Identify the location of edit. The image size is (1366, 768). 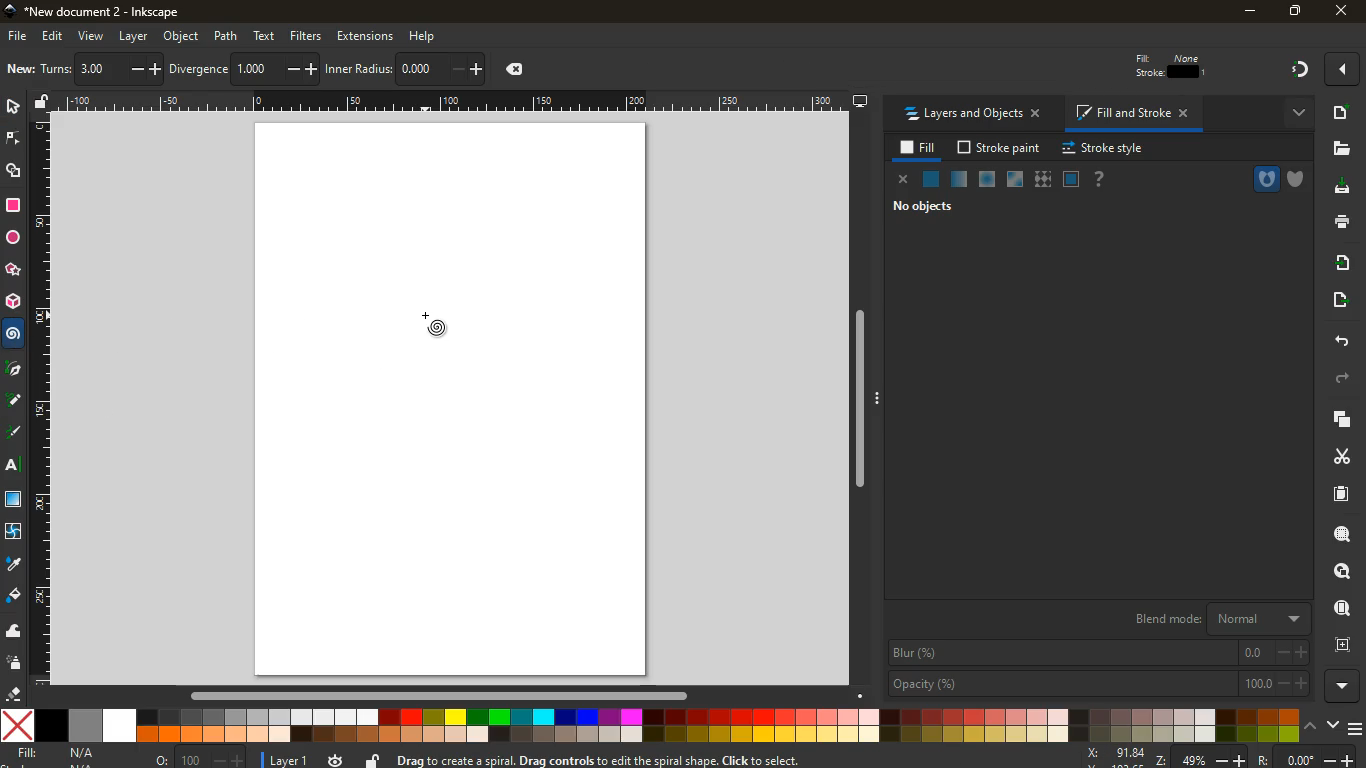
(1145, 69).